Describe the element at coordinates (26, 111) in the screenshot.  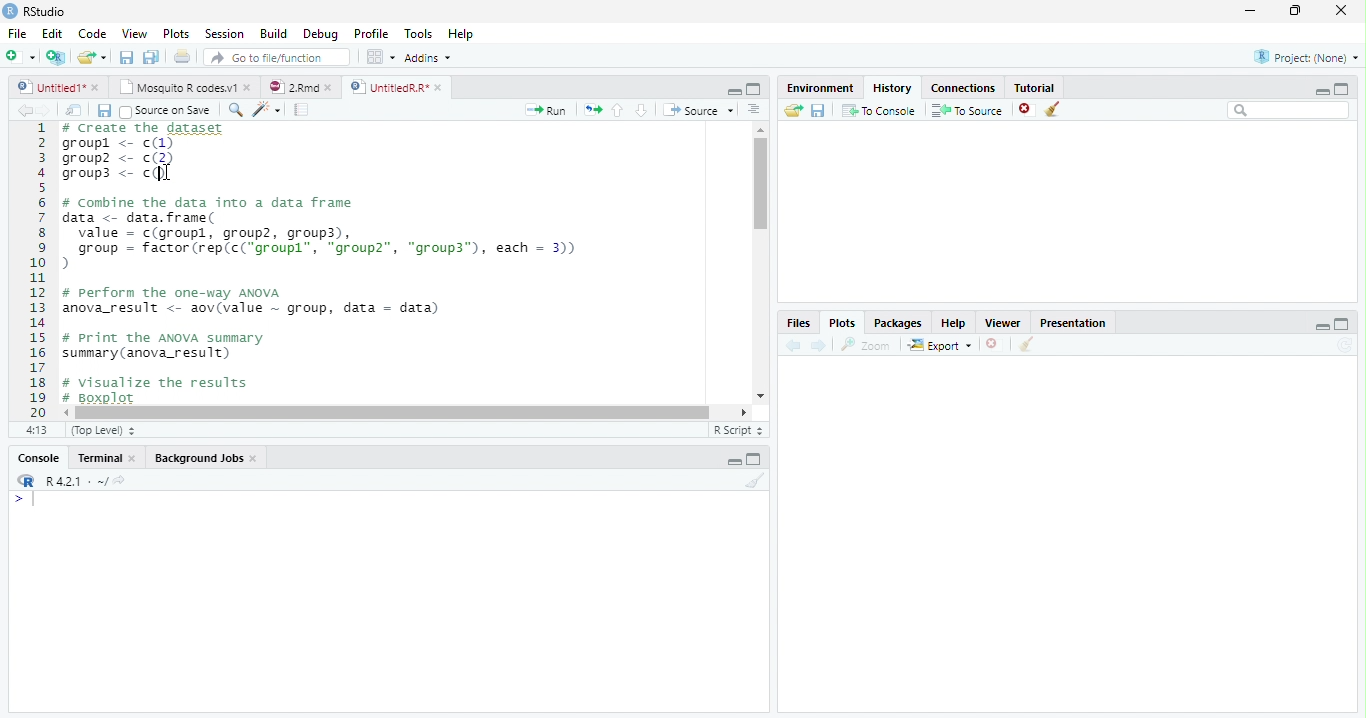
I see `Back ` at that location.